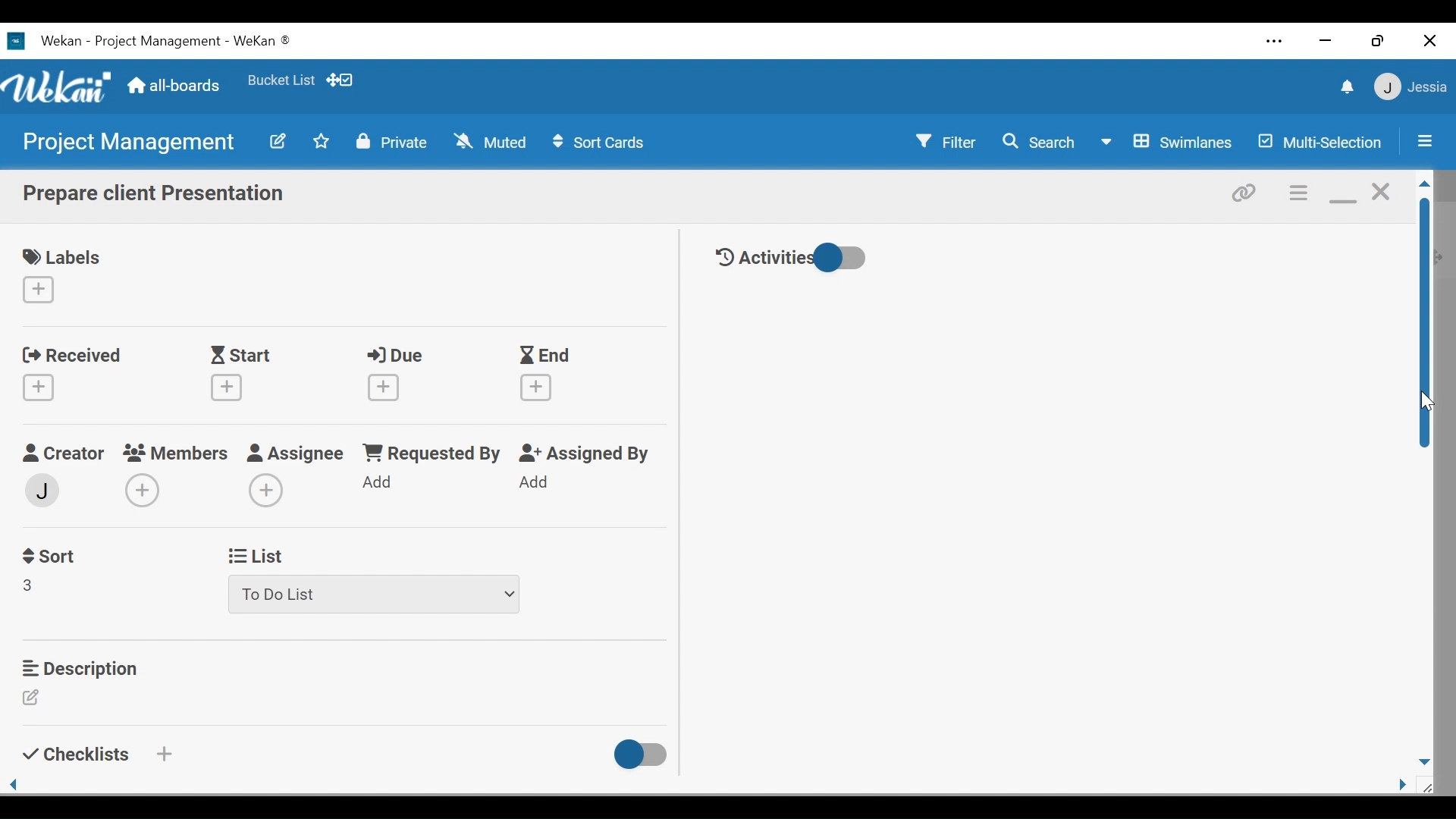  What do you see at coordinates (849, 257) in the screenshot?
I see `Toggle show/hide activities` at bounding box center [849, 257].